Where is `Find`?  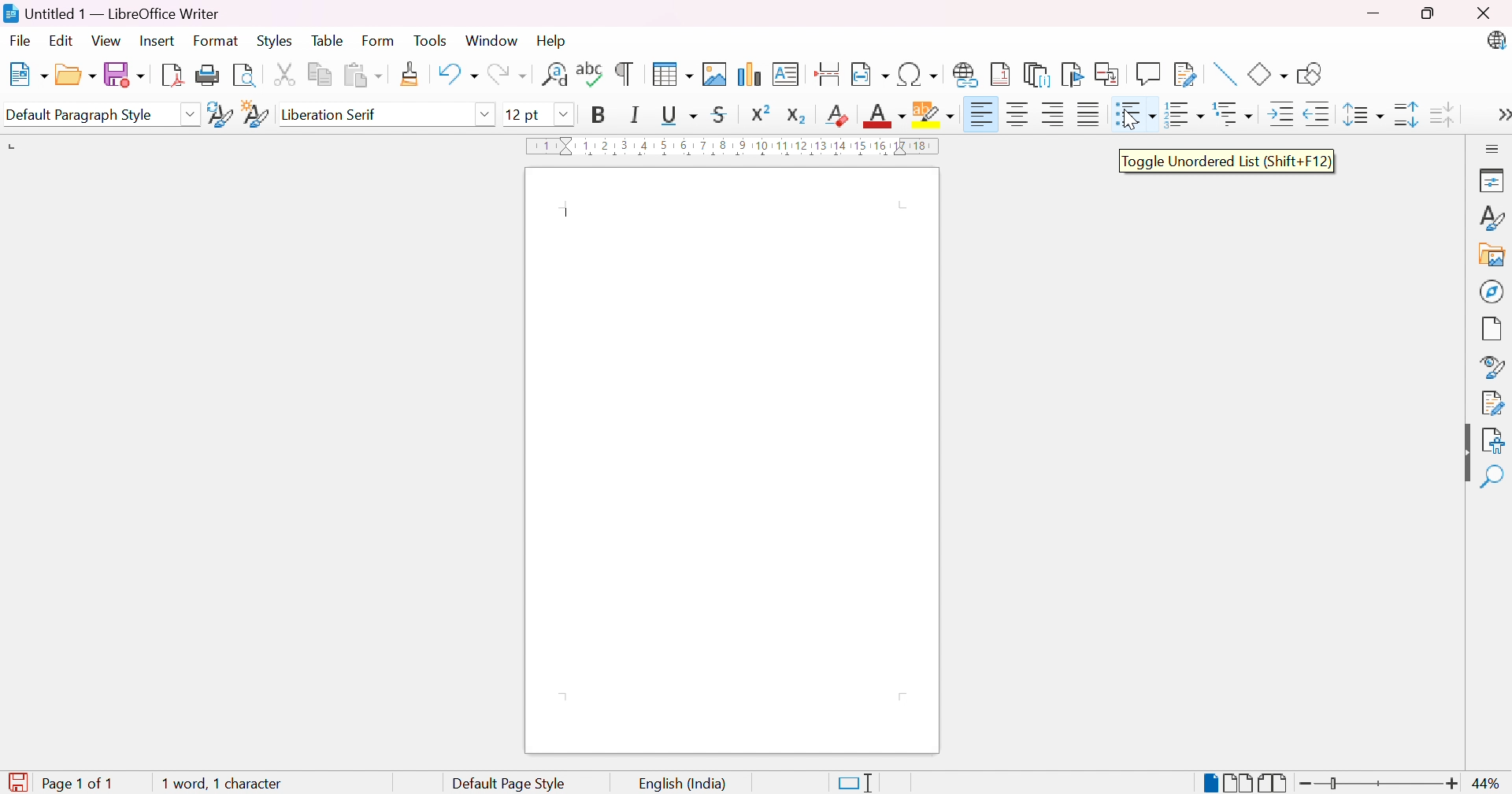 Find is located at coordinates (1492, 477).